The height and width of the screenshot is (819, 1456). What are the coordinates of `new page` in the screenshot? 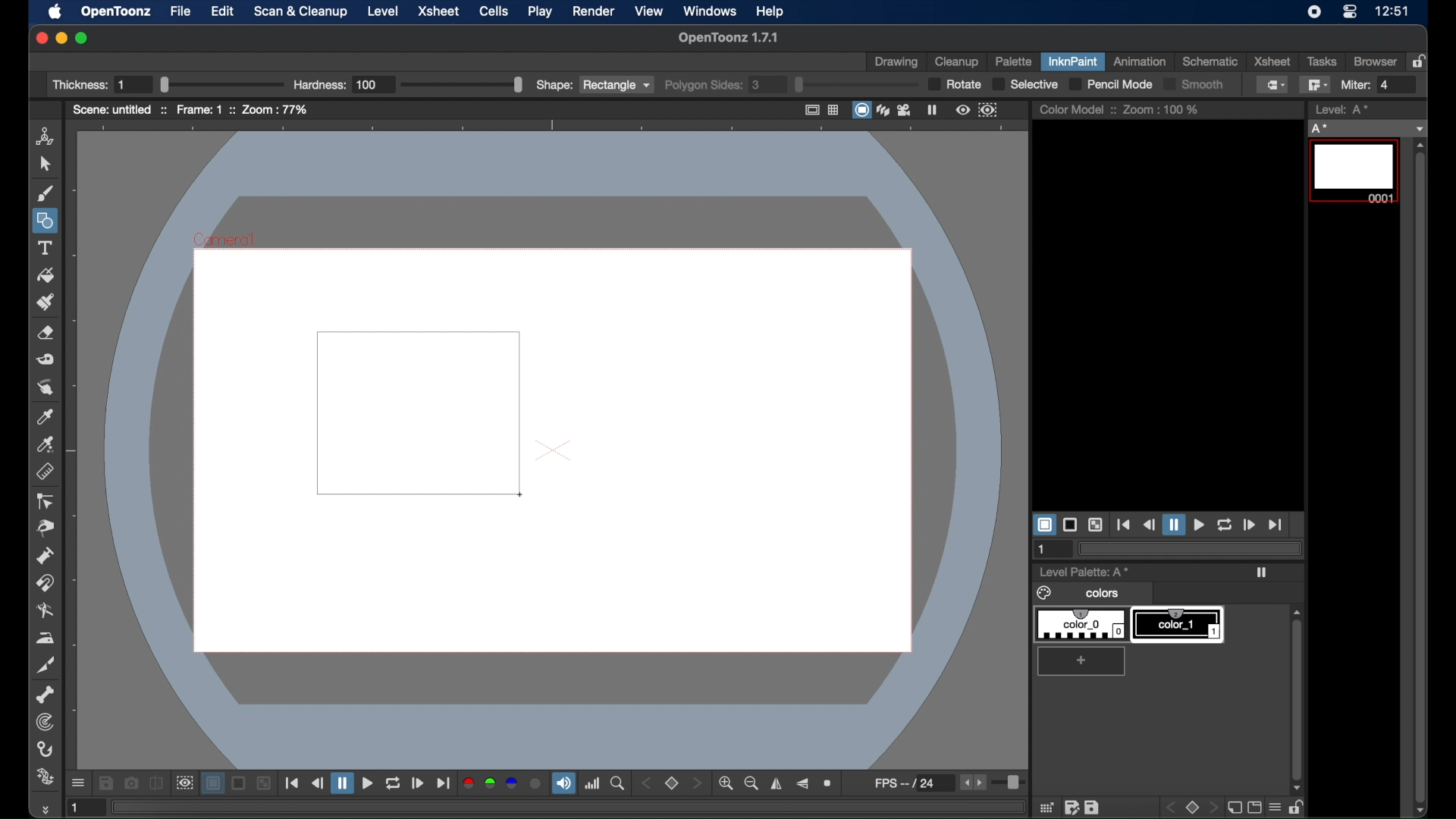 It's located at (1232, 806).